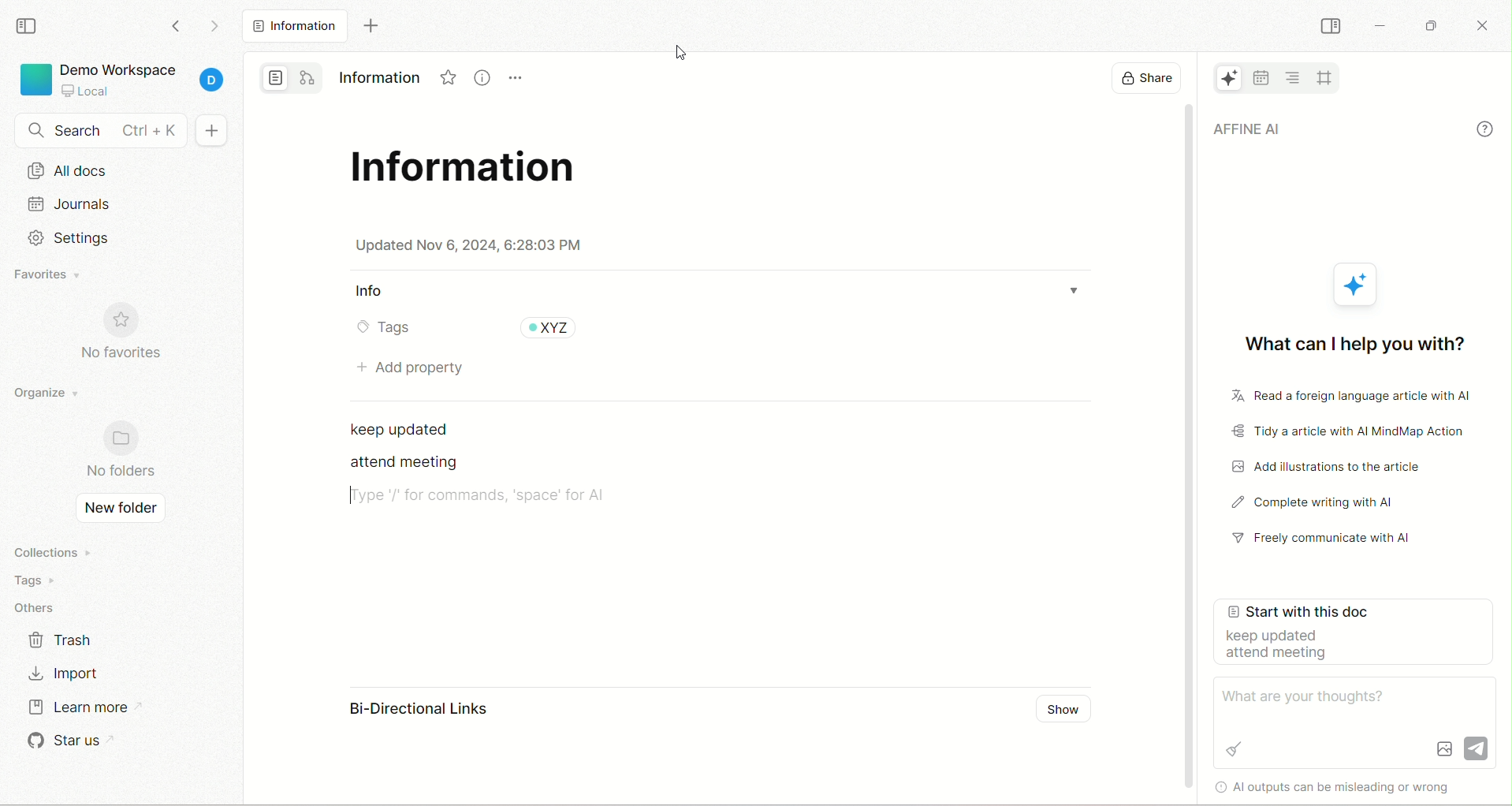 The height and width of the screenshot is (806, 1512). Describe the element at coordinates (77, 711) in the screenshot. I see `learn more` at that location.